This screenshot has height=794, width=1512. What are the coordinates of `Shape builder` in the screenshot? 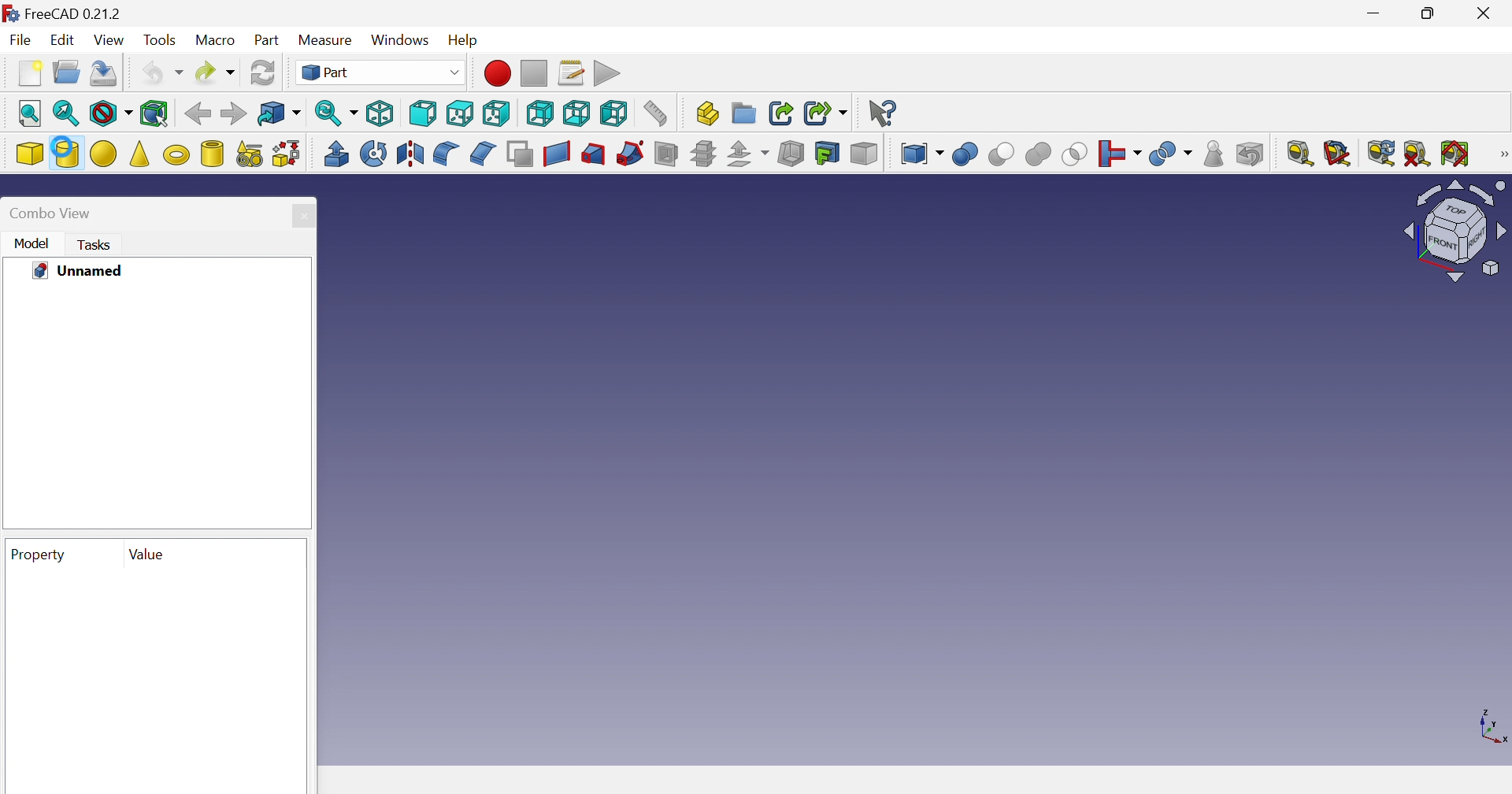 It's located at (287, 154).